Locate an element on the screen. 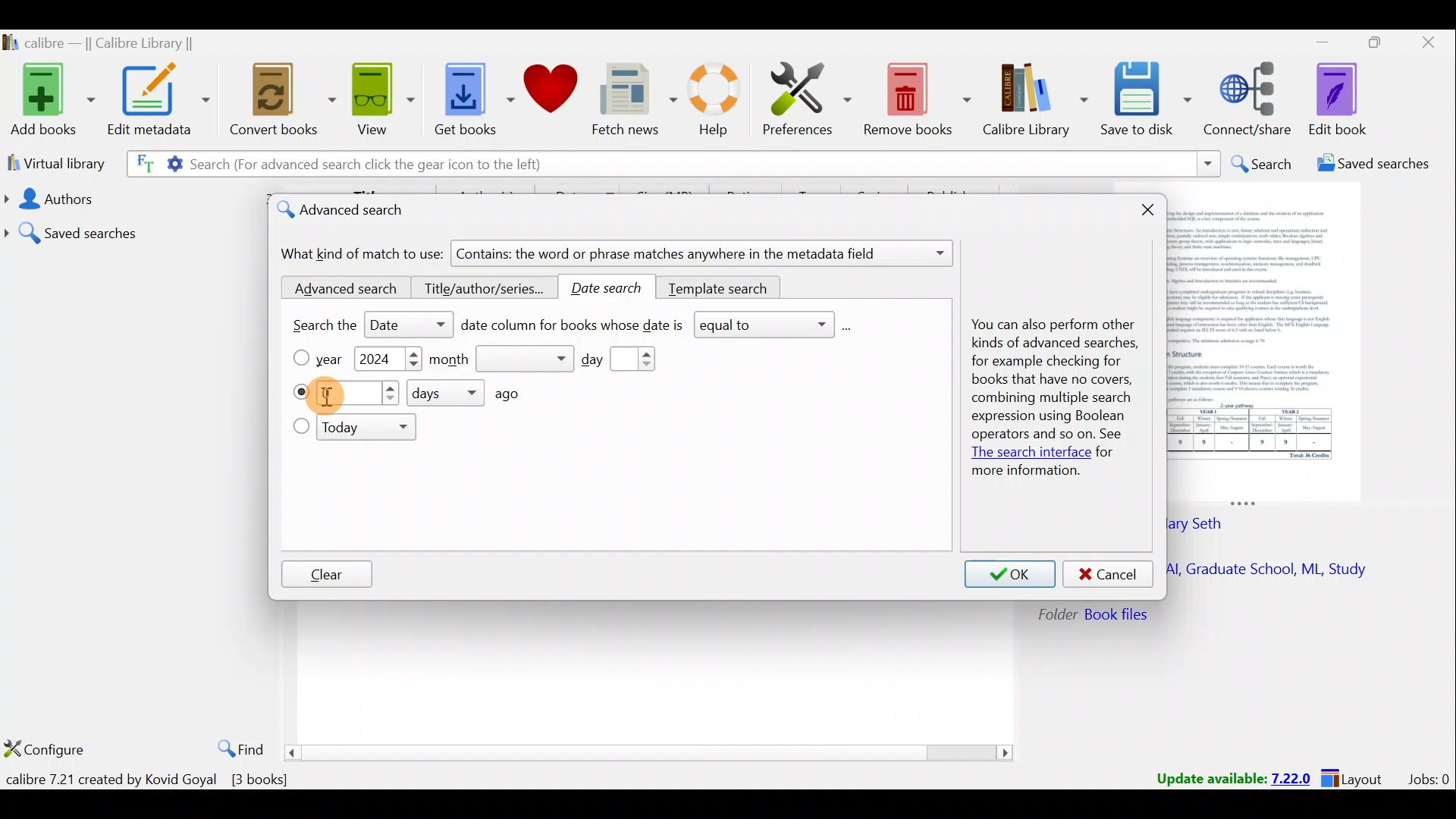  Template search is located at coordinates (720, 286).